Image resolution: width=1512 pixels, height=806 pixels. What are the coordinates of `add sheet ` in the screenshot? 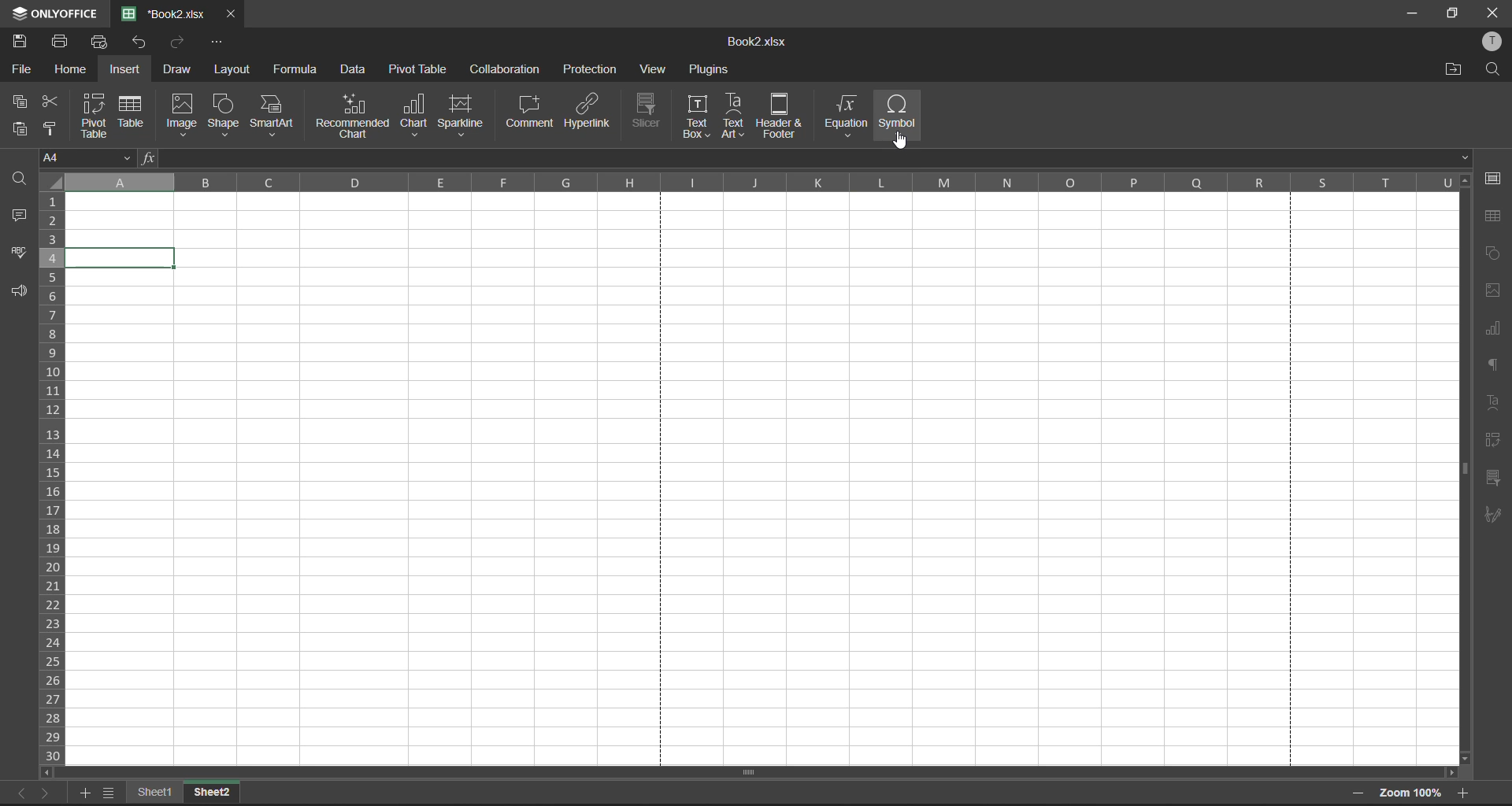 It's located at (83, 795).